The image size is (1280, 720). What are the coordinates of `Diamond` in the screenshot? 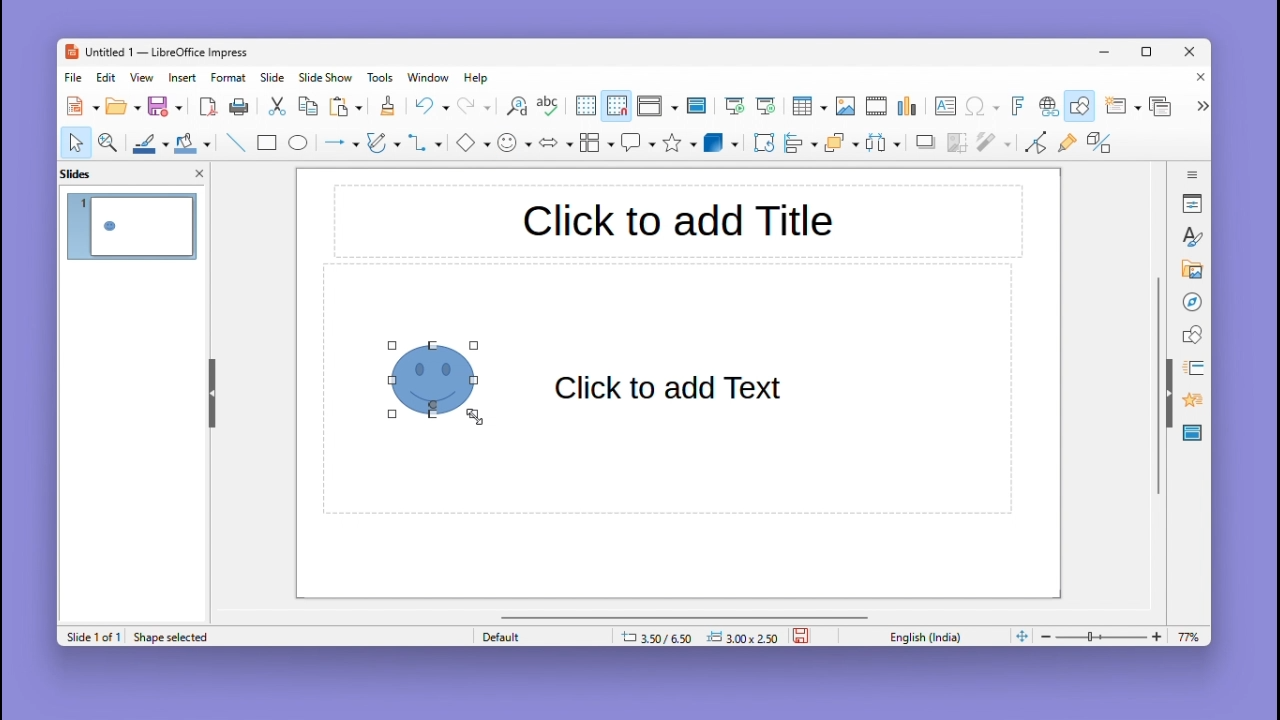 It's located at (472, 143).